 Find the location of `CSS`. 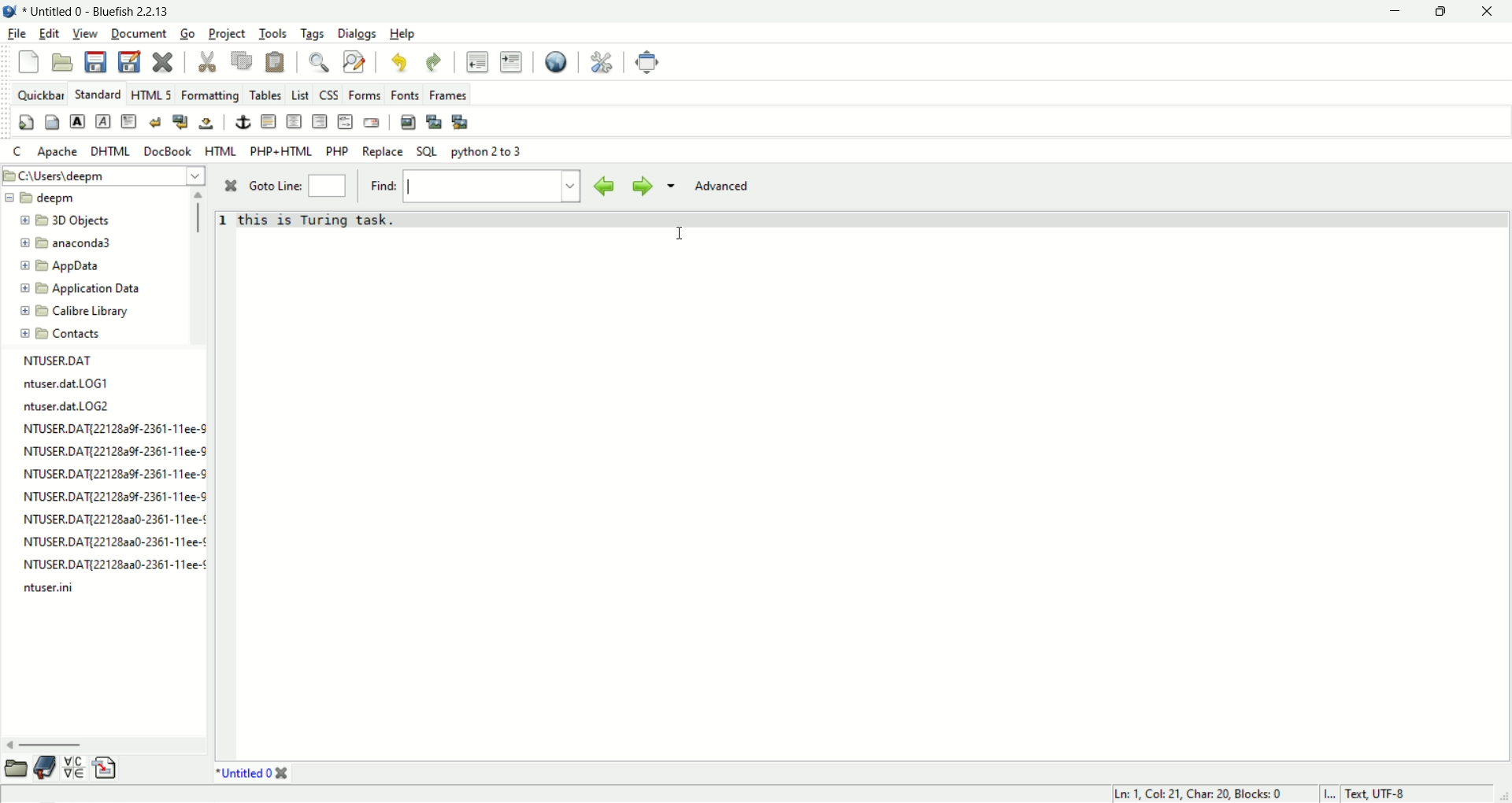

CSS is located at coordinates (330, 96).